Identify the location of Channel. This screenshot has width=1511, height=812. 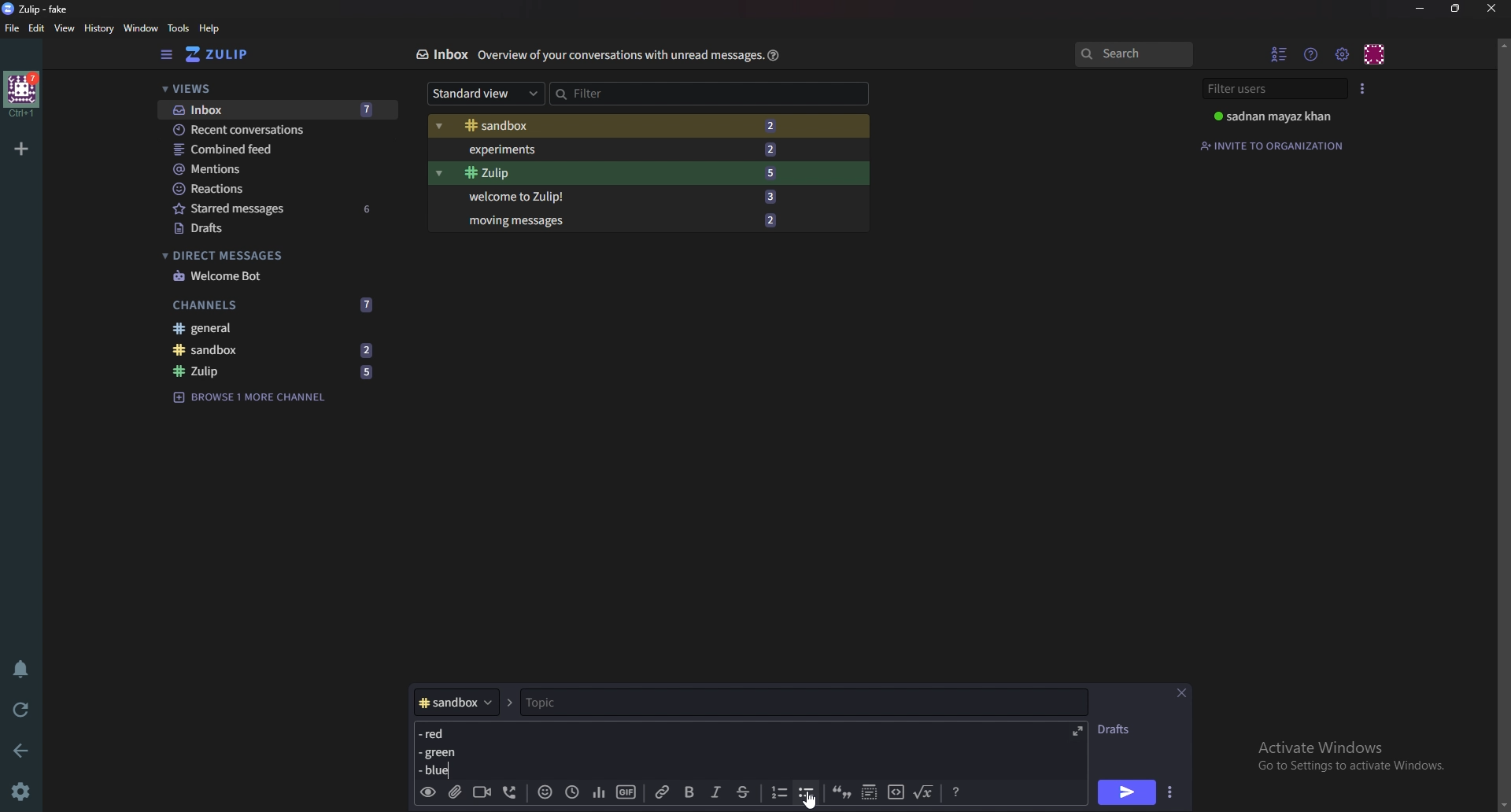
(457, 703).